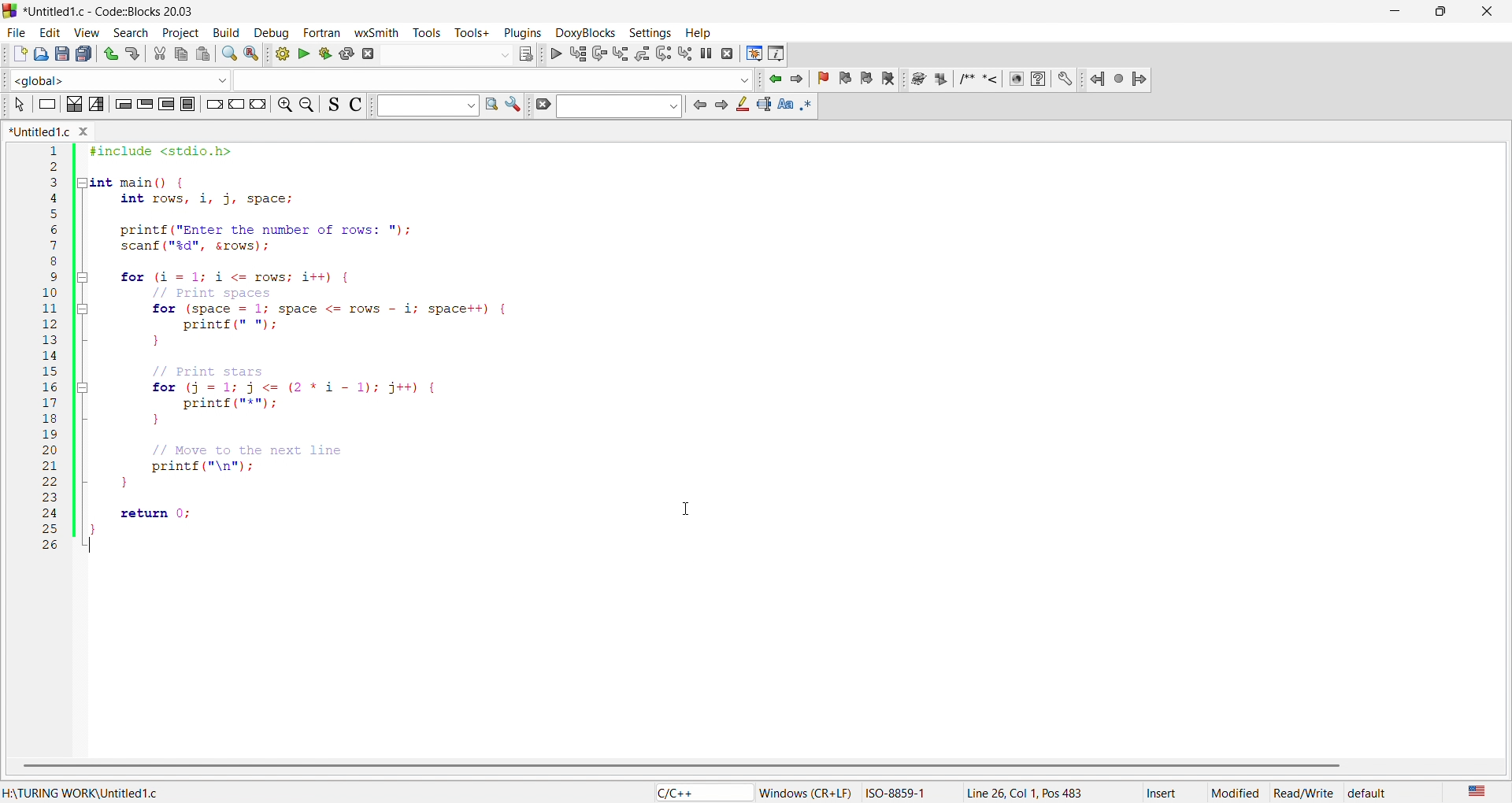 The width and height of the screenshot is (1512, 803). I want to click on minimize, so click(1405, 10).